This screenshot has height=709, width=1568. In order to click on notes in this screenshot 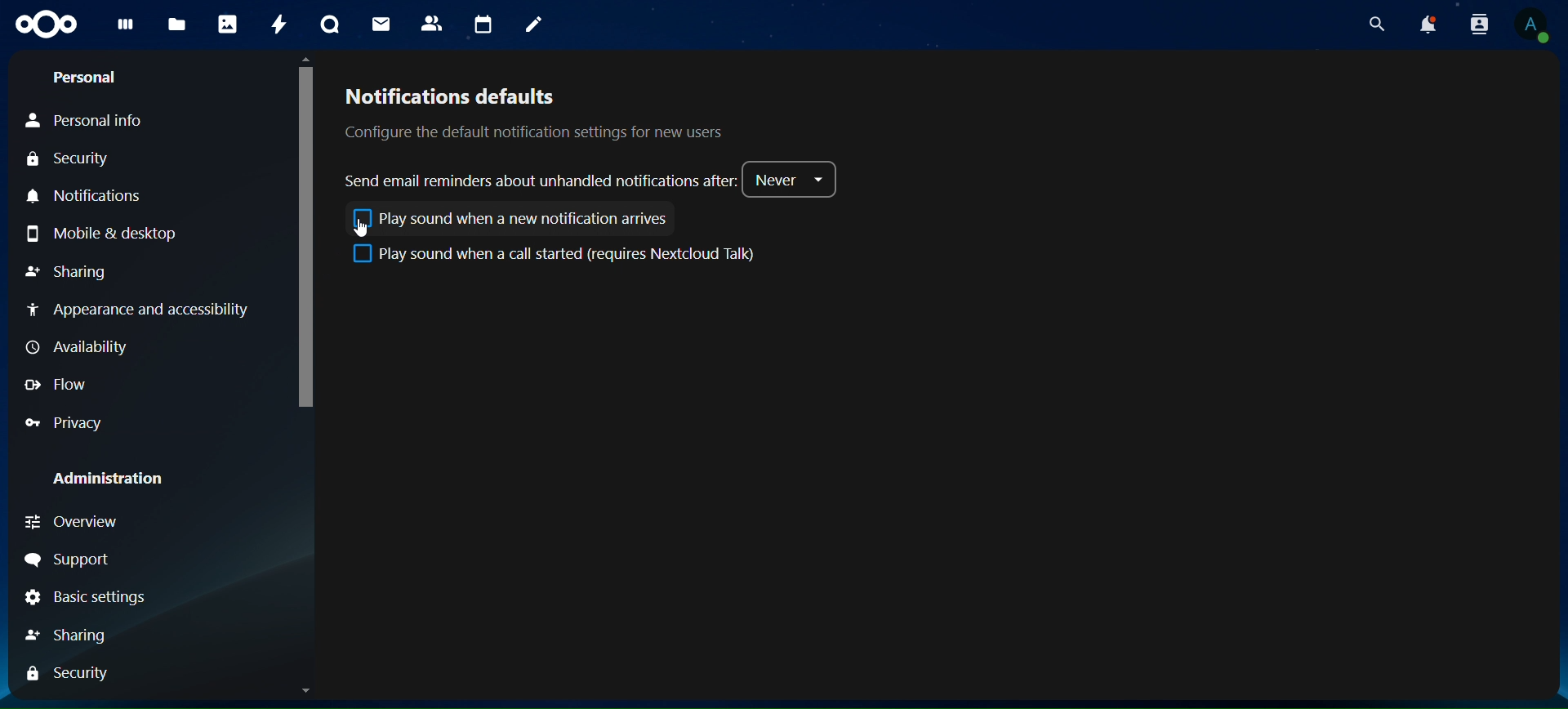, I will do `click(534, 24)`.